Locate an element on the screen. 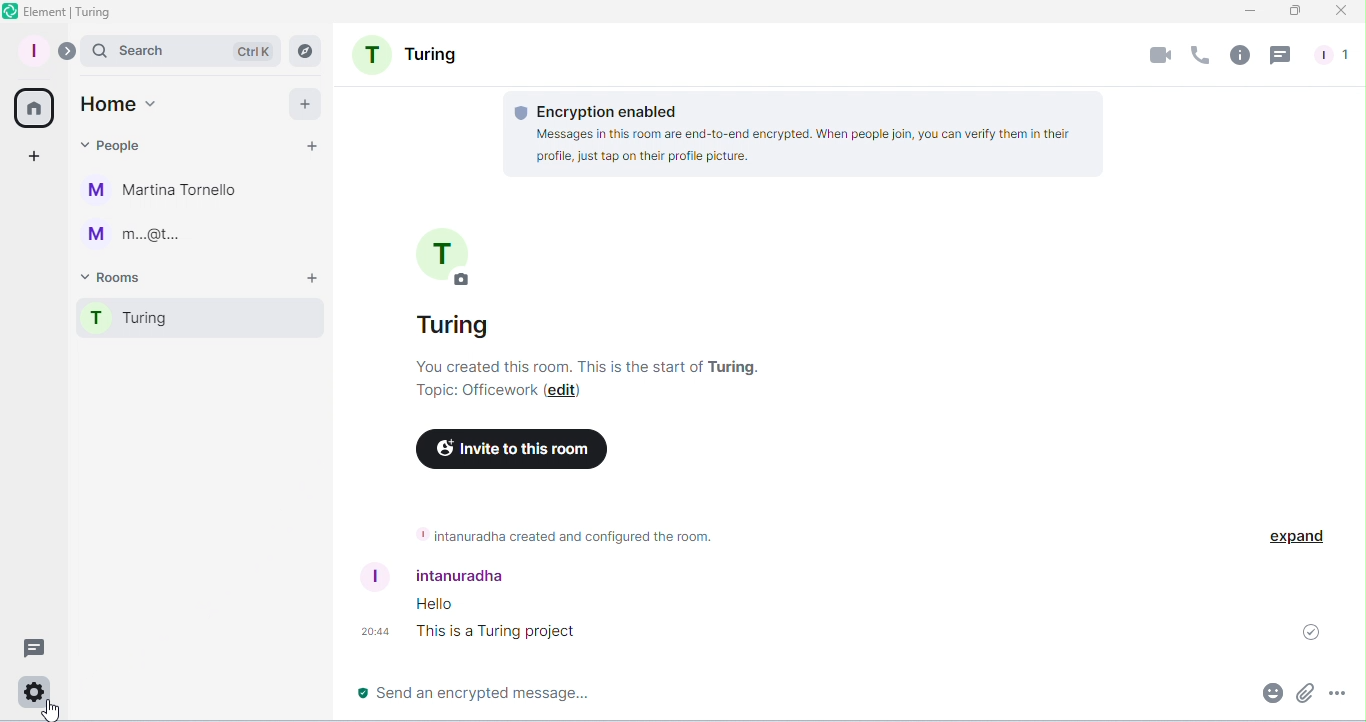  Emoji is located at coordinates (1270, 691).